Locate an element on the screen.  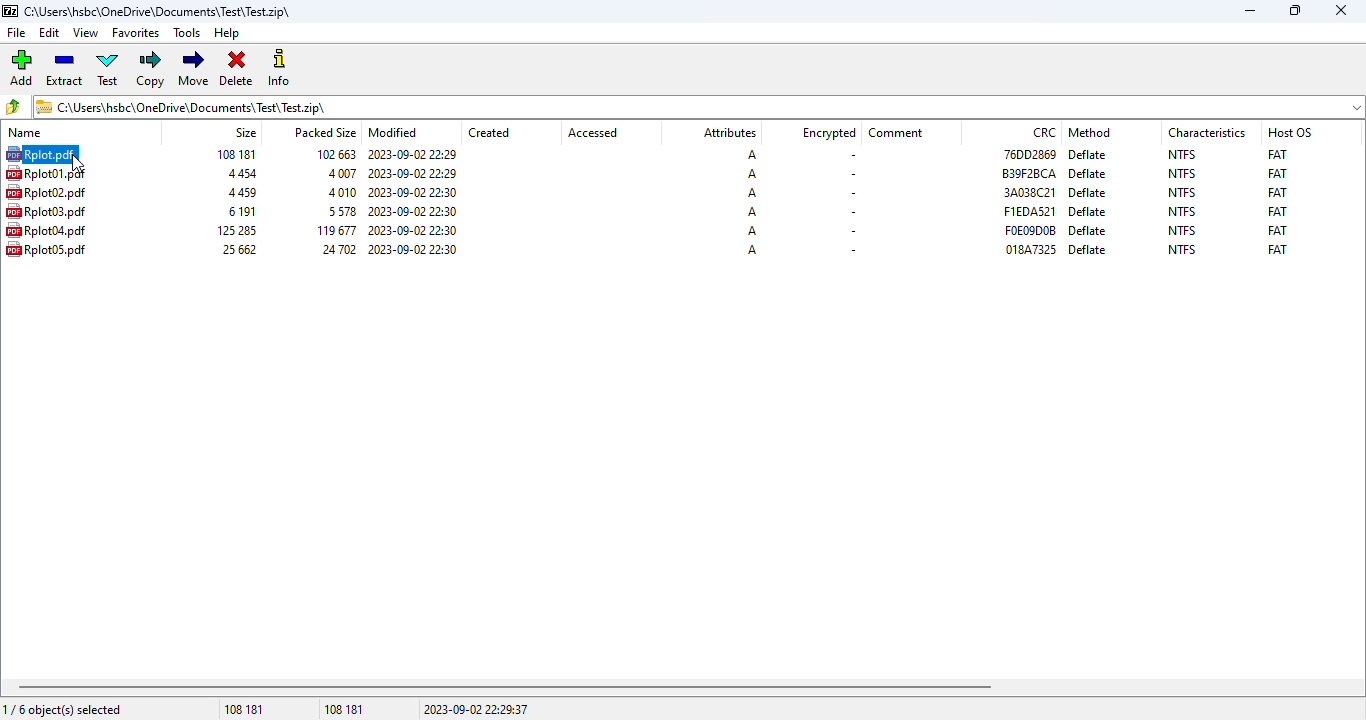
file is located at coordinates (18, 33).